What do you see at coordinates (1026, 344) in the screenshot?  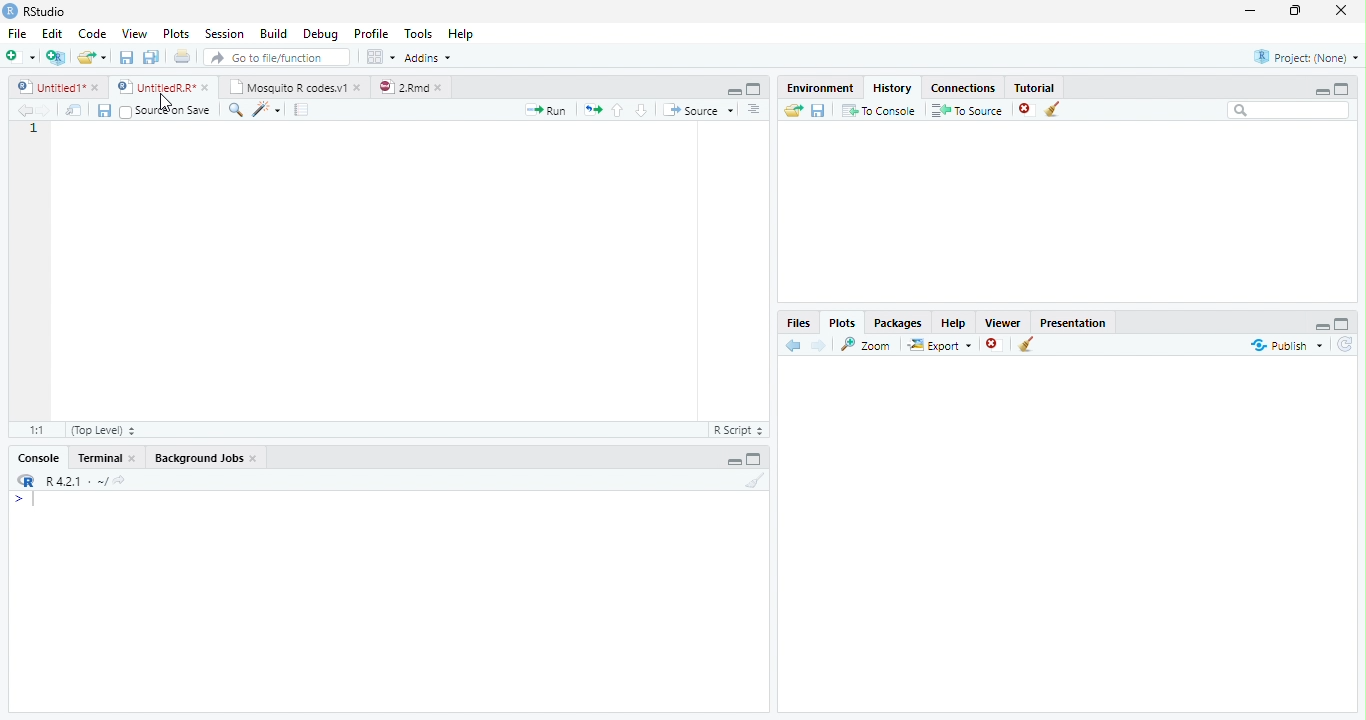 I see `Clear` at bounding box center [1026, 344].